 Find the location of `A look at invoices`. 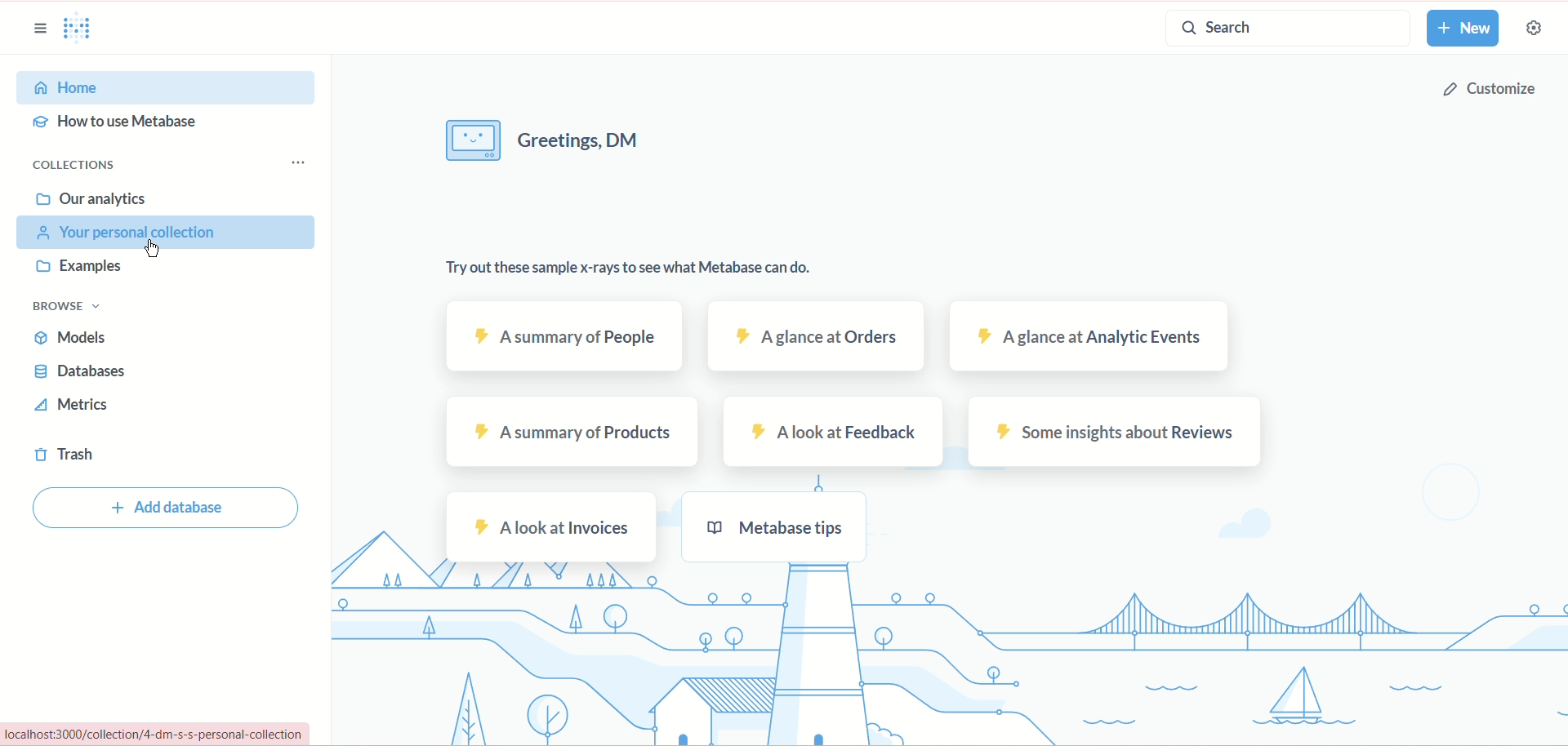

A look at invoices is located at coordinates (551, 526).